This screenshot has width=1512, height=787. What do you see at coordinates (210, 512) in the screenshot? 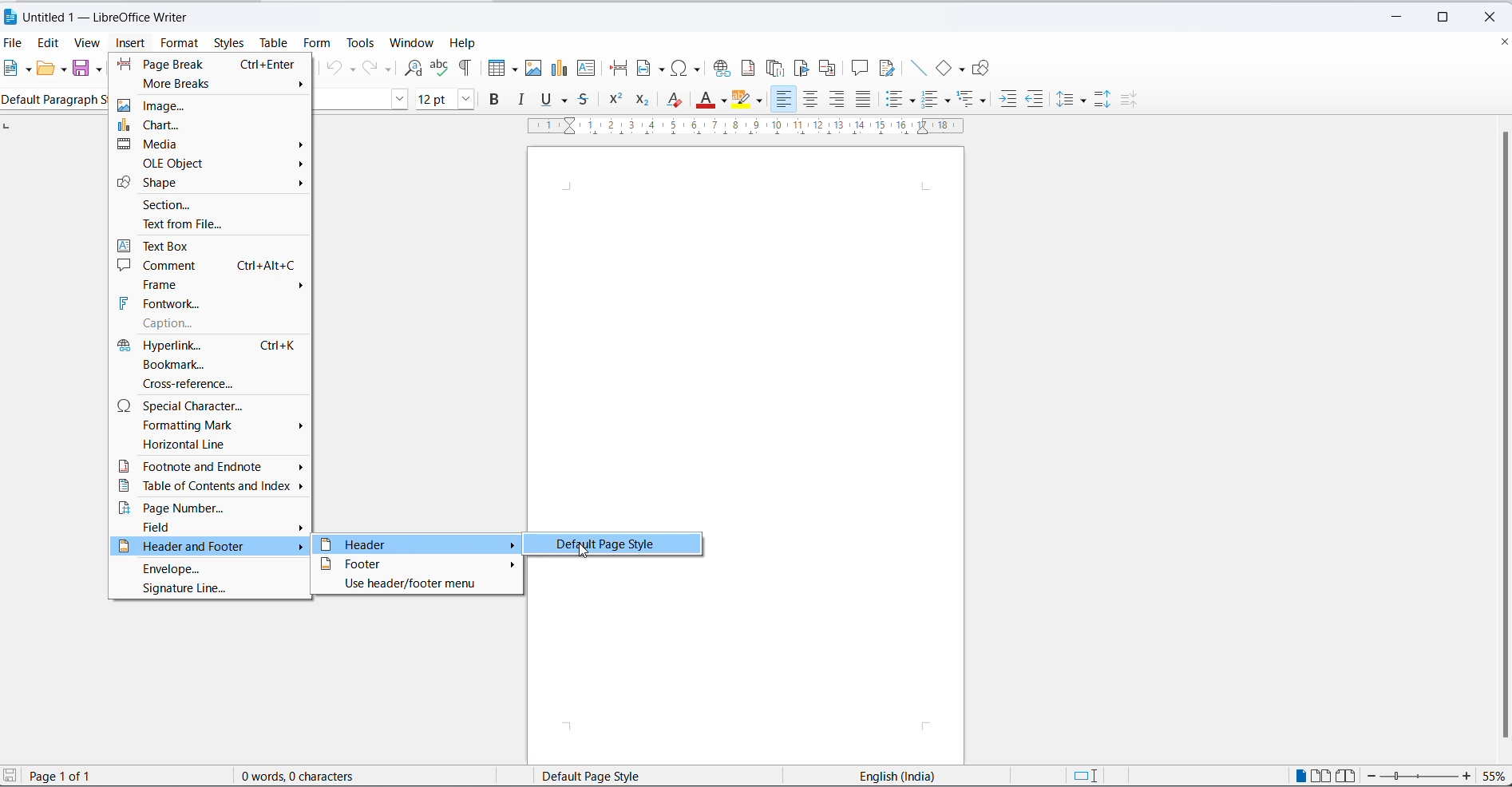
I see `page number ` at bounding box center [210, 512].